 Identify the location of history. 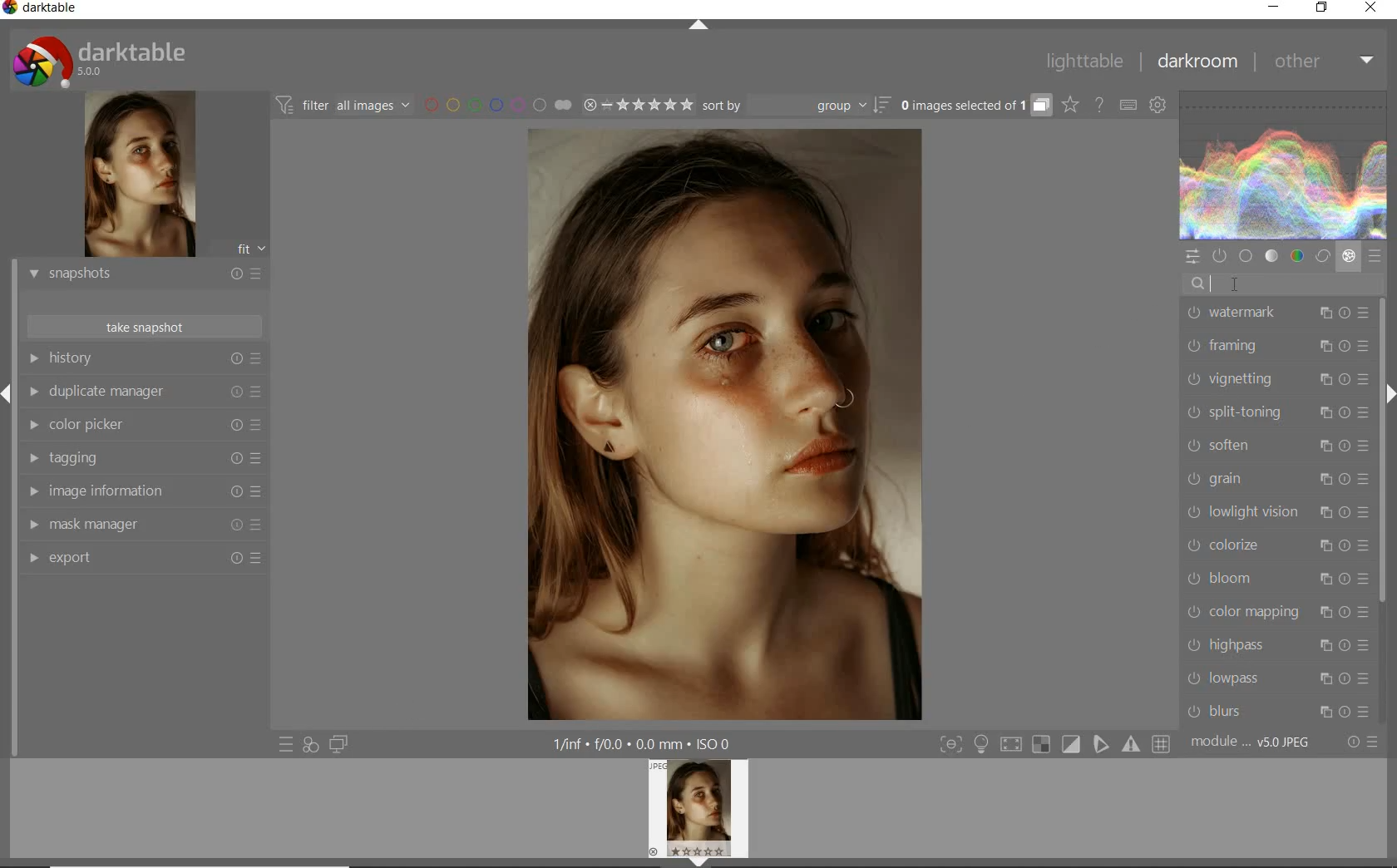
(144, 359).